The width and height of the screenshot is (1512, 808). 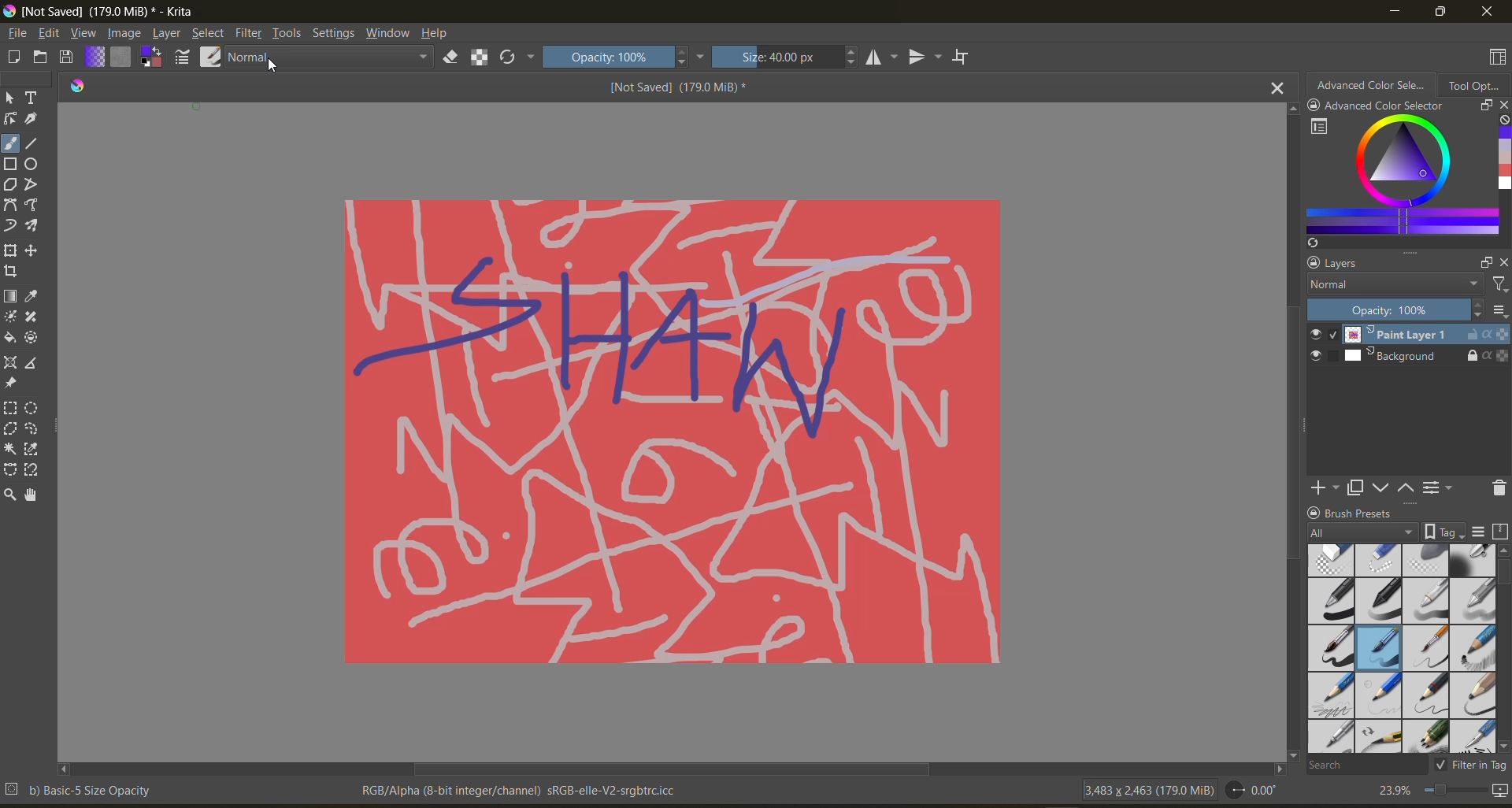 What do you see at coordinates (1319, 347) in the screenshot?
I see `preview` at bounding box center [1319, 347].